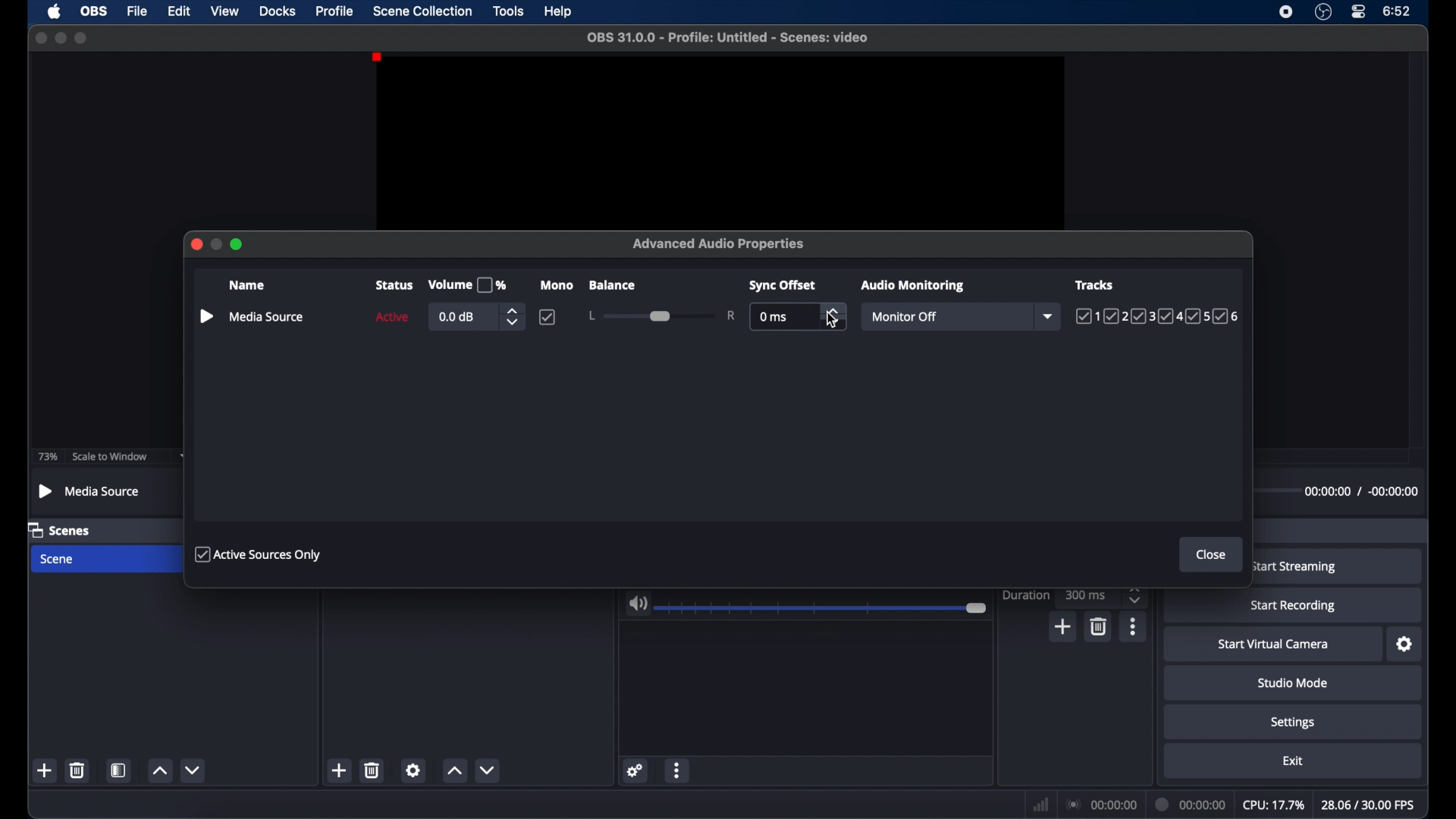  I want to click on studio mode, so click(1293, 682).